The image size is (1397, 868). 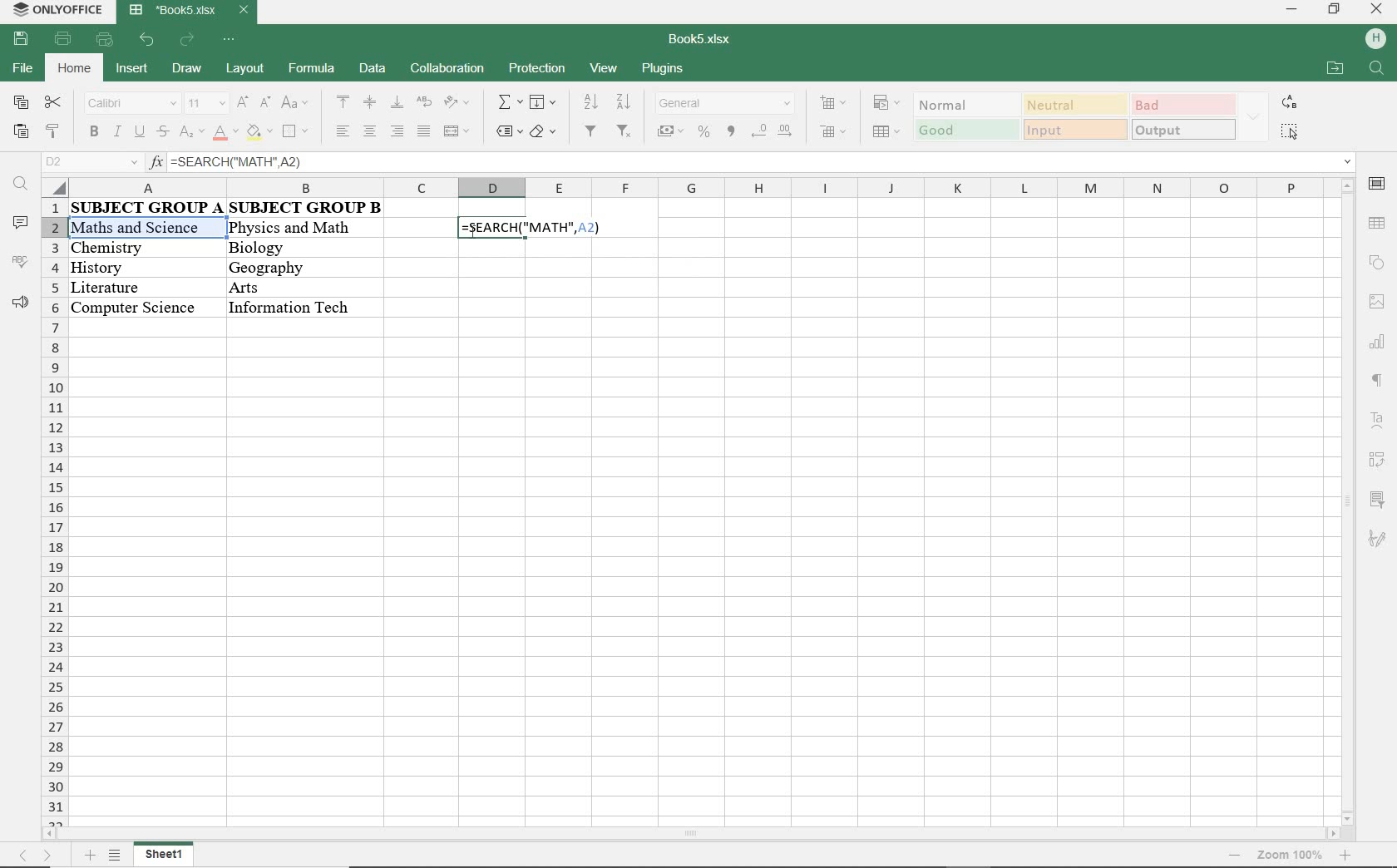 I want to click on clear, so click(x=545, y=133).